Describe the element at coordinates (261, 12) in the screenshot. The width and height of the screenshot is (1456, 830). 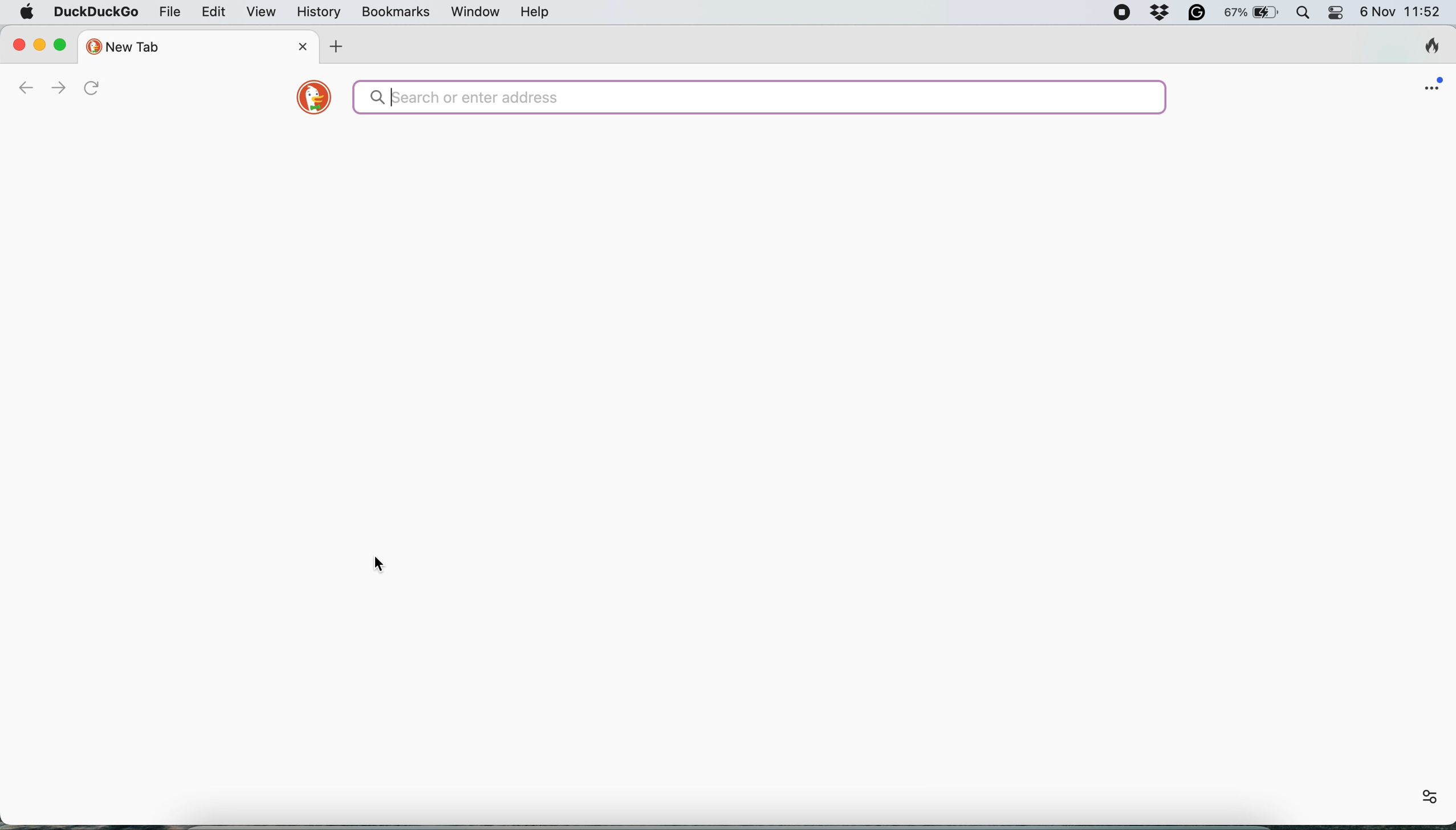
I see `view` at that location.